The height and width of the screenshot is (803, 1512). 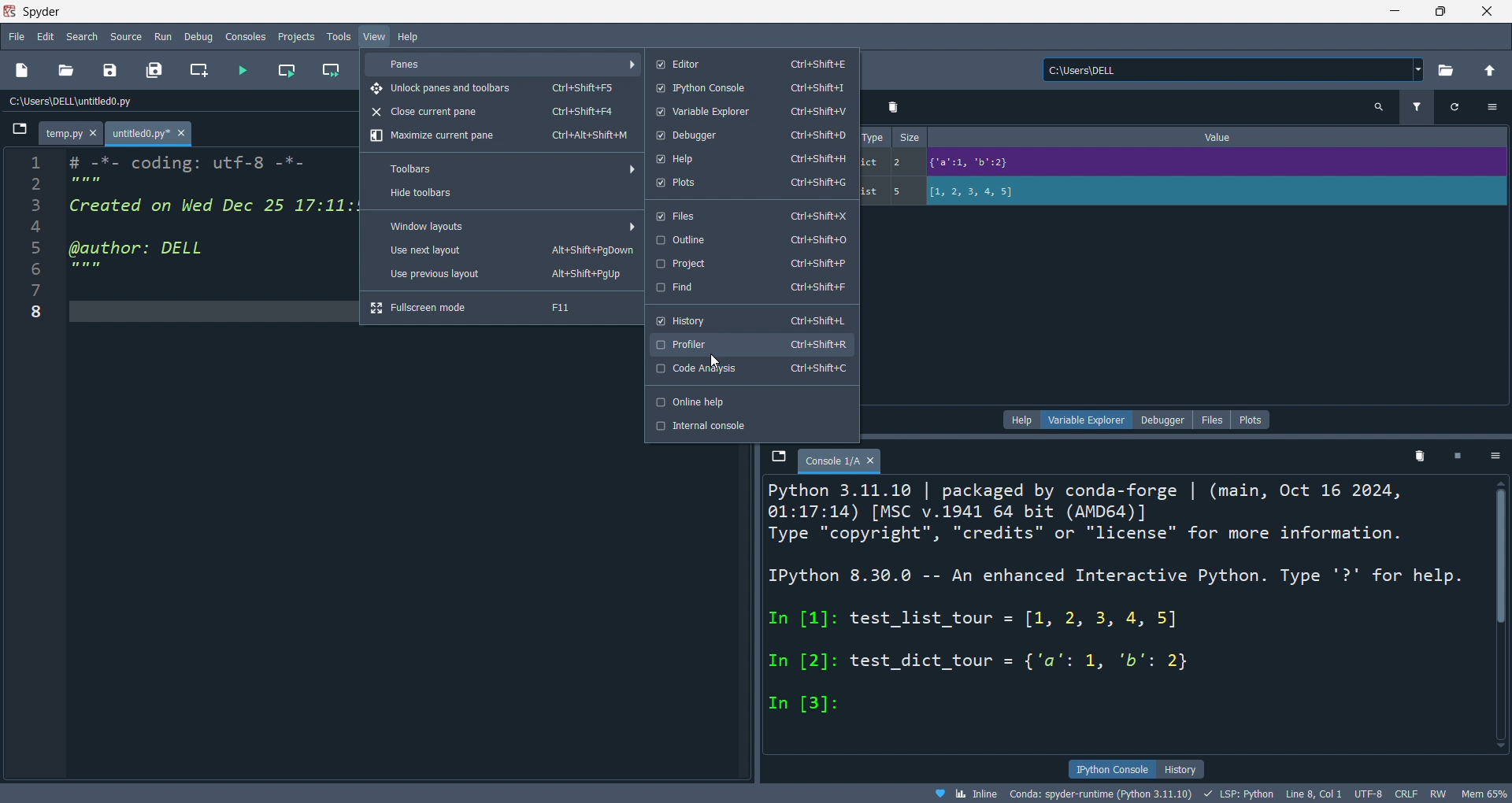 What do you see at coordinates (1123, 618) in the screenshot?
I see ` Python 3.11.10 | packaged by conda-forge | (main, Oct 16 2024, 01:17:14) [MSC v.1941 64 bit (AMD64)] Type "copyright", "credits" or "license" for more information. IPython 8.30.0 -- An enhanced Interactive Python. Type '?' for help. In [1]: test_list_tour = [1, 2, 3, 4, 5] In [2]: test_dict_tour = {'a': 1, 'b': 2} In [3]:` at bounding box center [1123, 618].